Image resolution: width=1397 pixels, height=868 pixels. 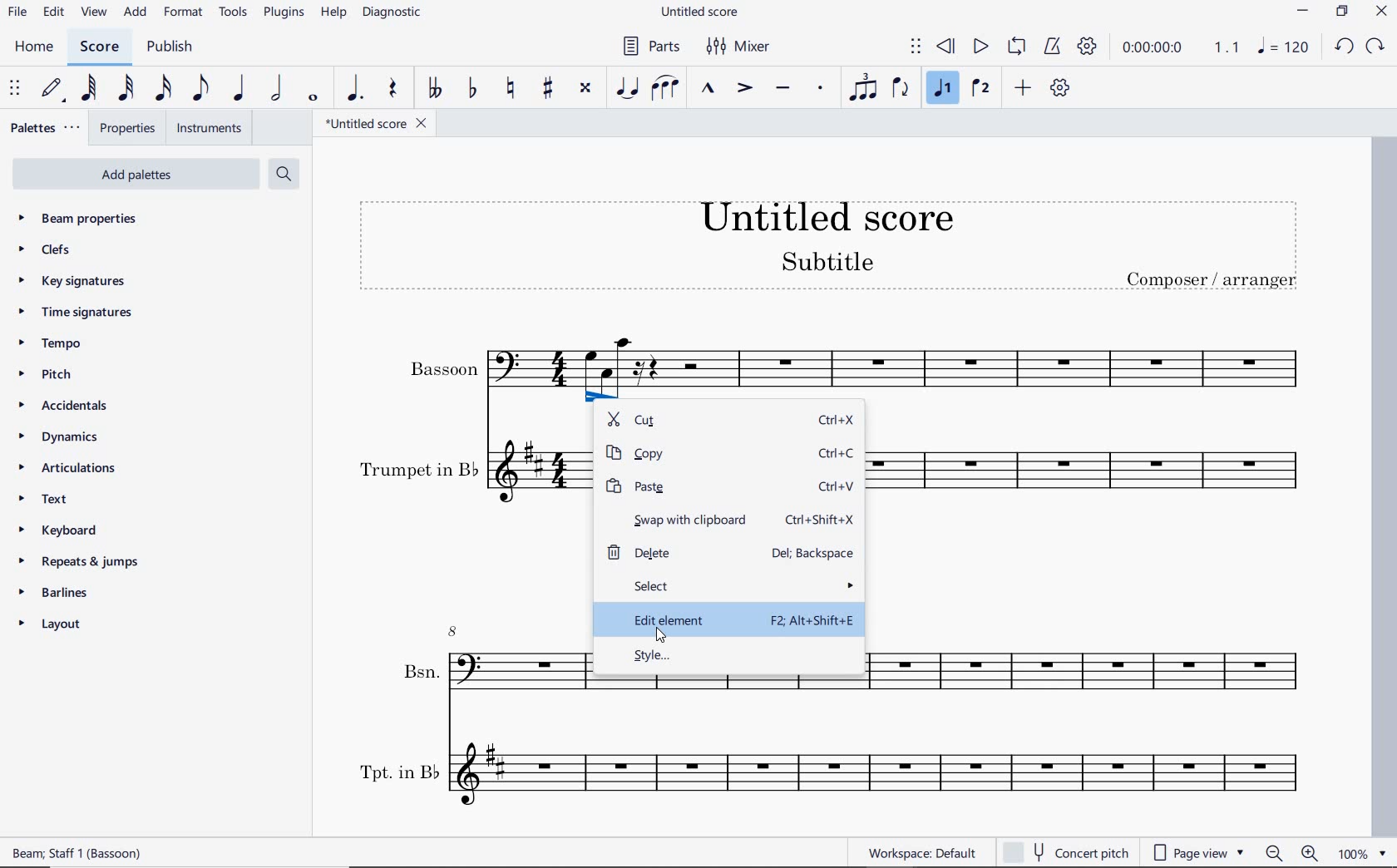 I want to click on paste, so click(x=729, y=485).